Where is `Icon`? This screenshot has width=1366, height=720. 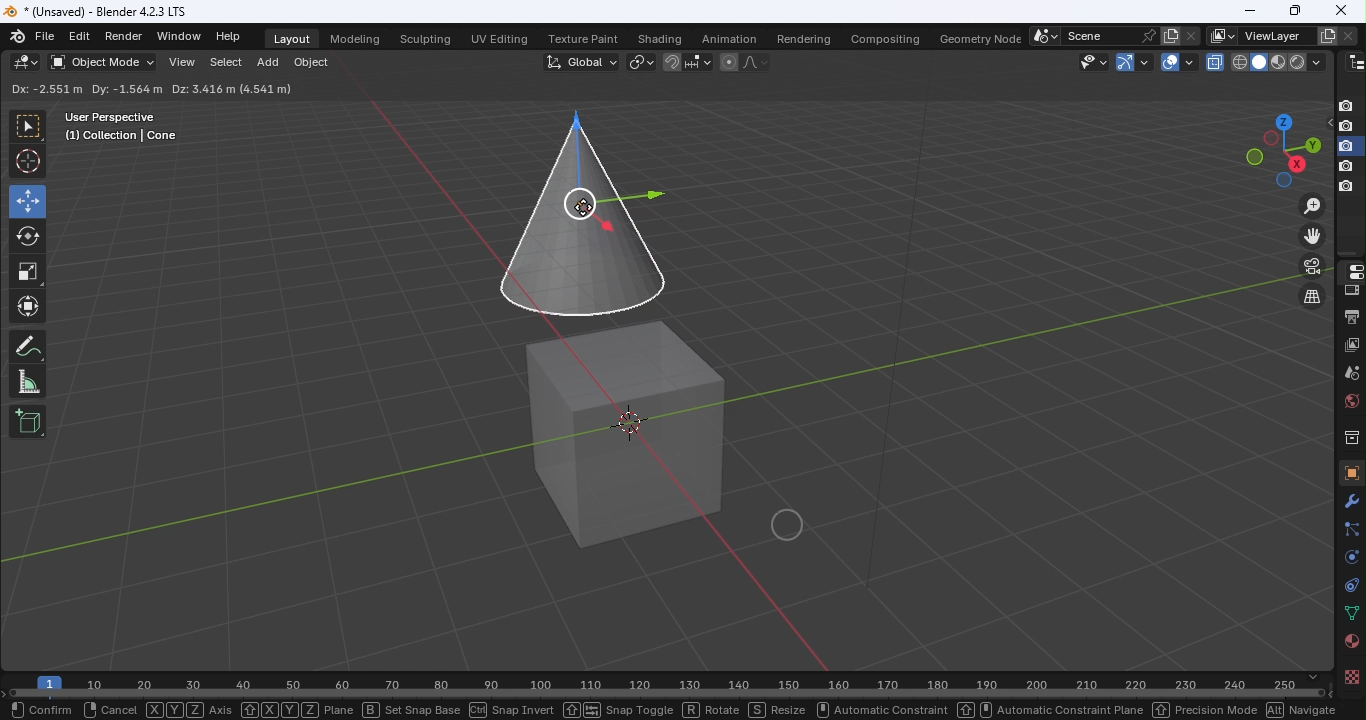
Icon is located at coordinates (19, 35).